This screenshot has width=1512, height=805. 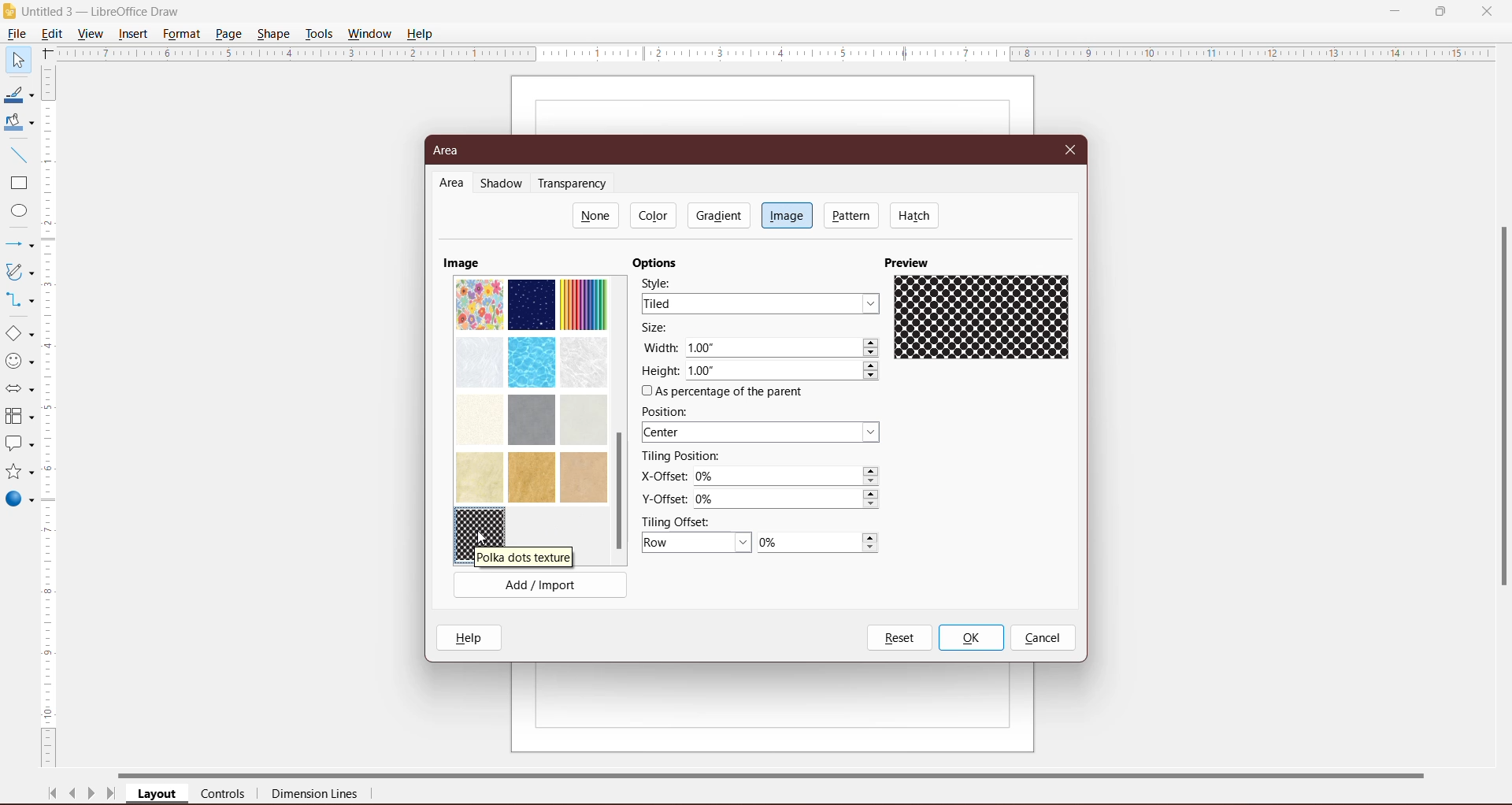 I want to click on Select the position, so click(x=763, y=433).